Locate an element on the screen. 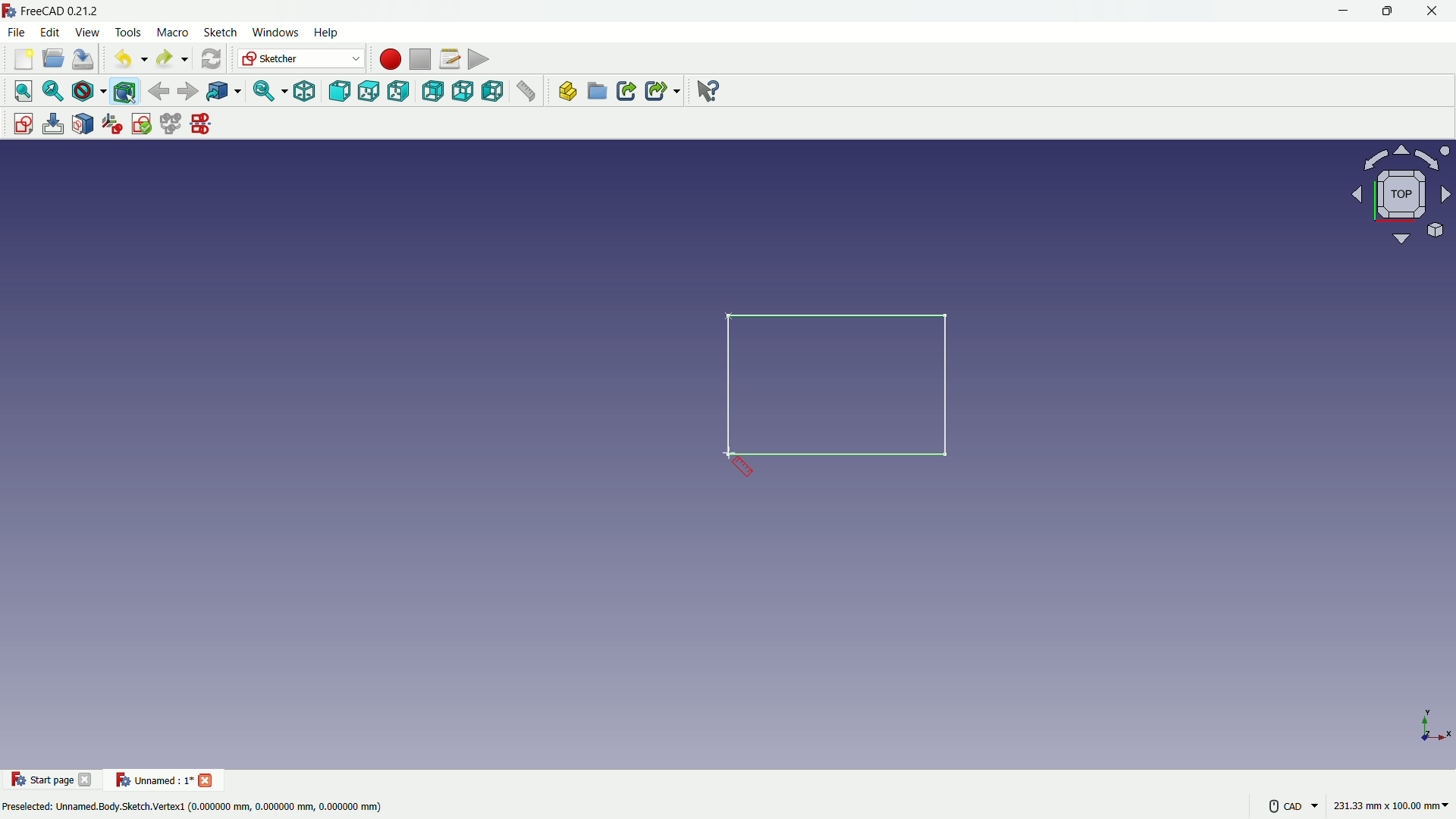 The width and height of the screenshot is (1456, 819). map sketch to face is located at coordinates (83, 124).